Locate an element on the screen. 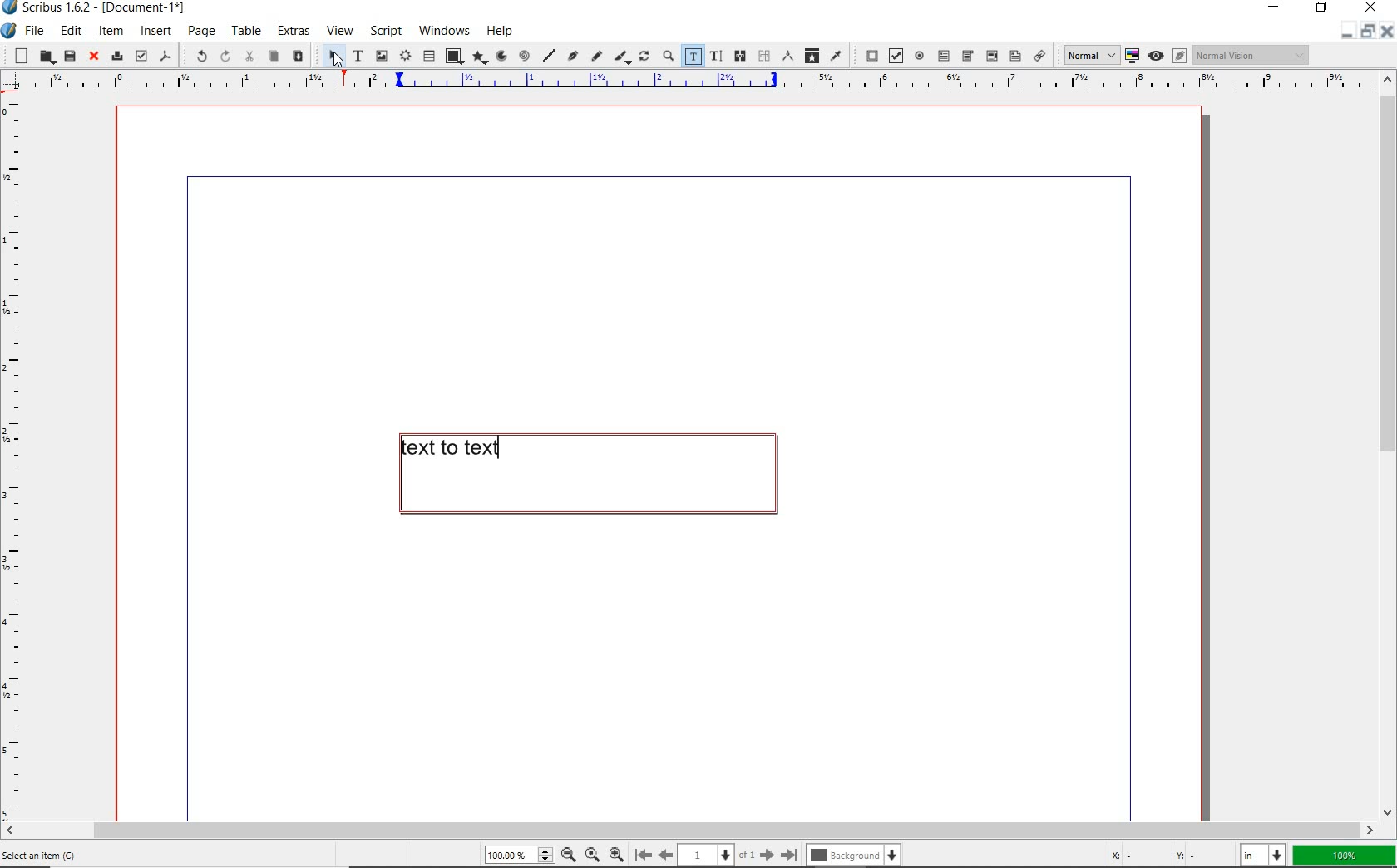 The image size is (1397, 868). copy is located at coordinates (273, 57).